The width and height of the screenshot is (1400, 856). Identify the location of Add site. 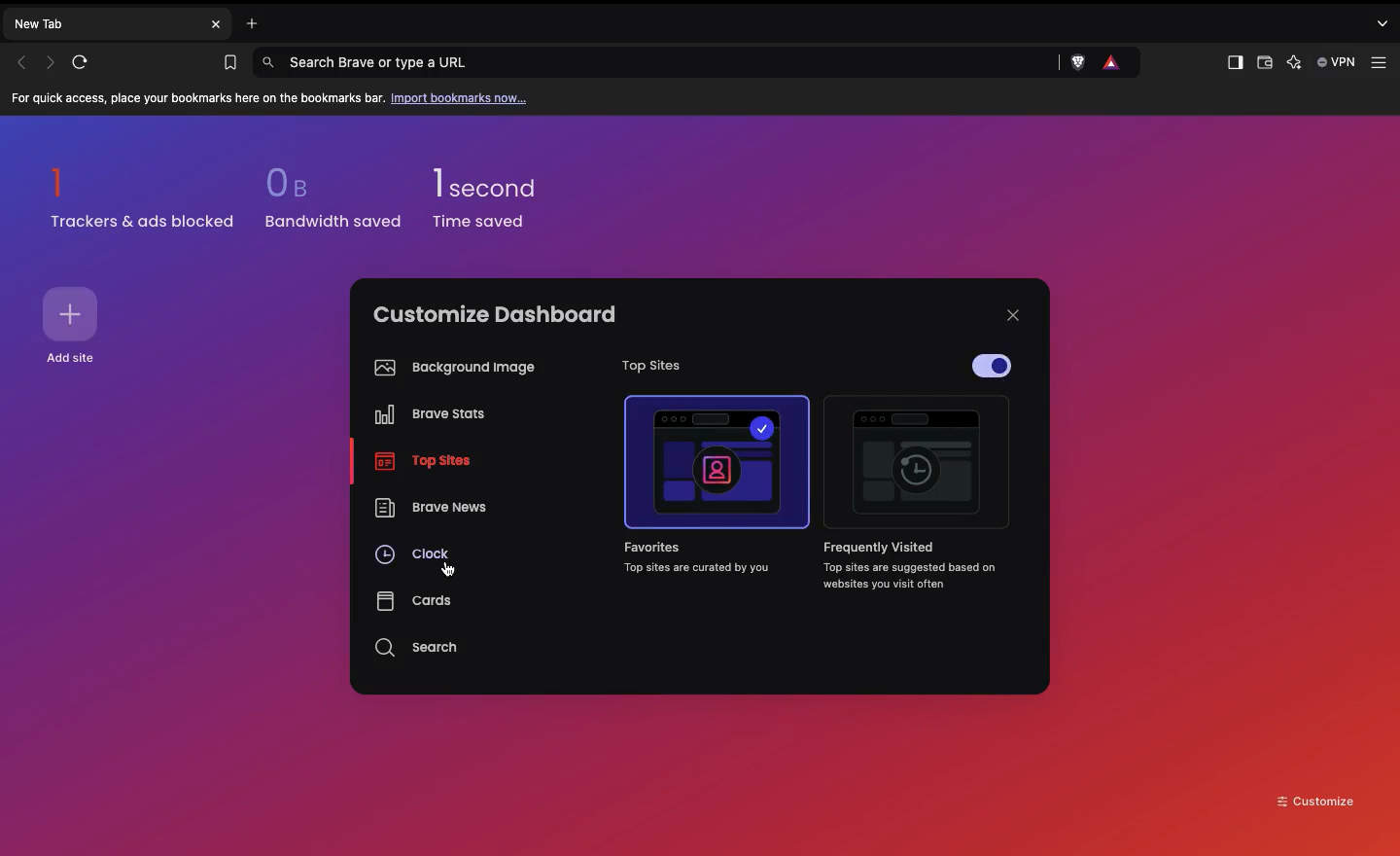
(74, 314).